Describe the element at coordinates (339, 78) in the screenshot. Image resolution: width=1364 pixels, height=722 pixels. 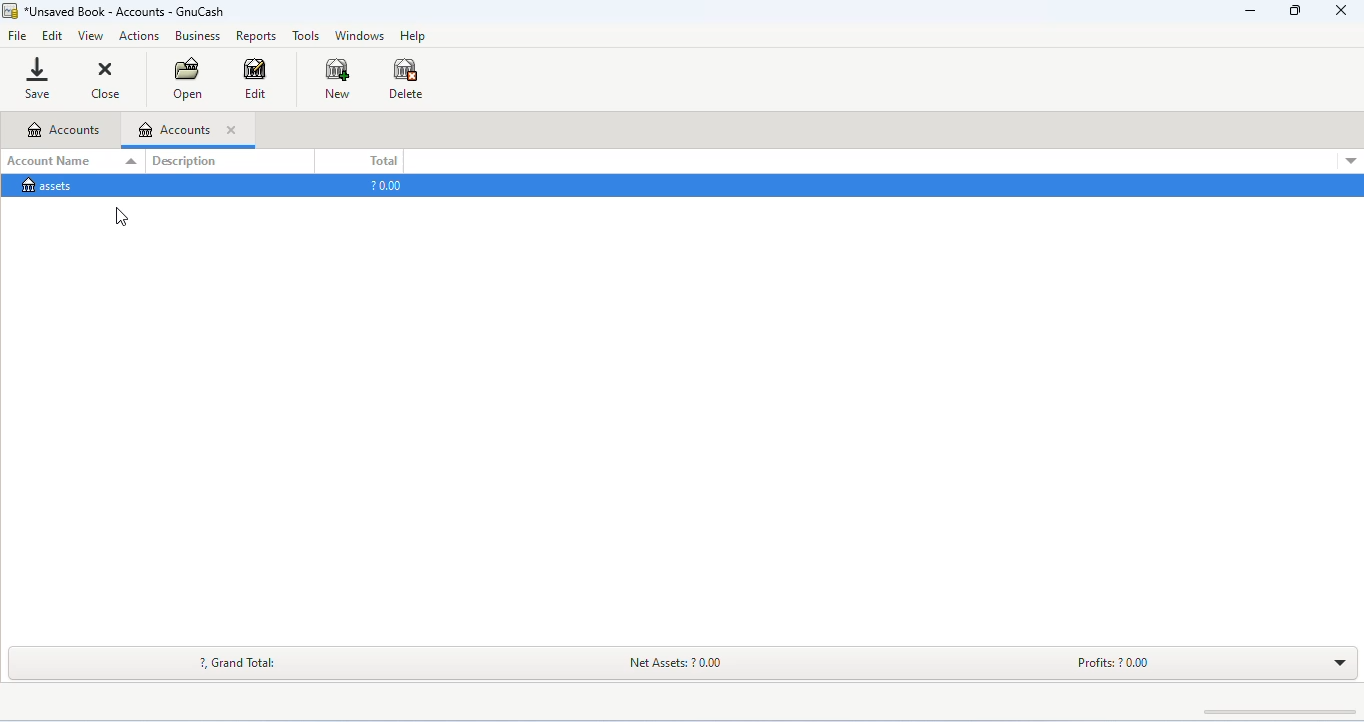
I see `new` at that location.